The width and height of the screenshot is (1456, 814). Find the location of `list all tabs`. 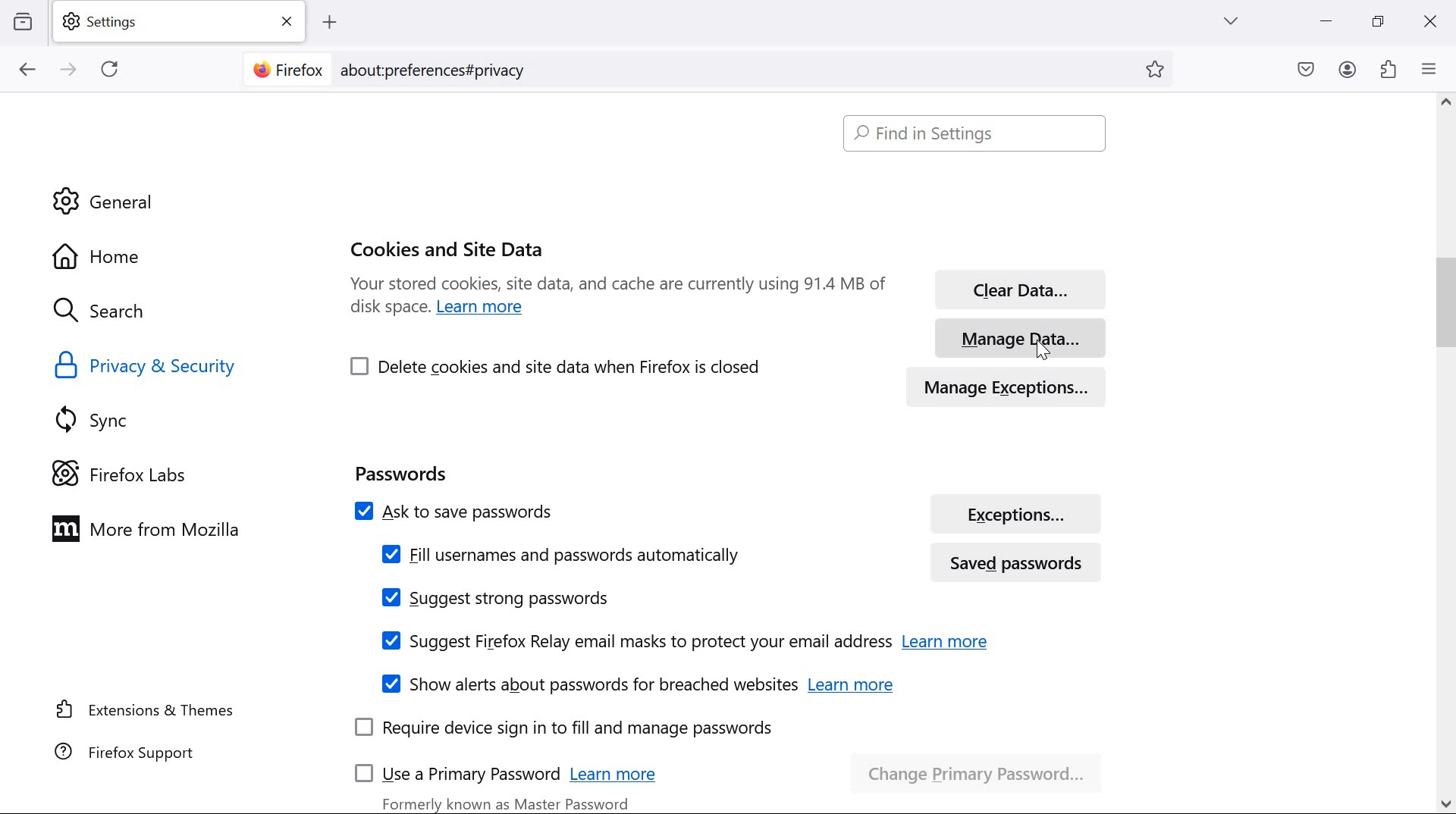

list all tabs is located at coordinates (1231, 20).